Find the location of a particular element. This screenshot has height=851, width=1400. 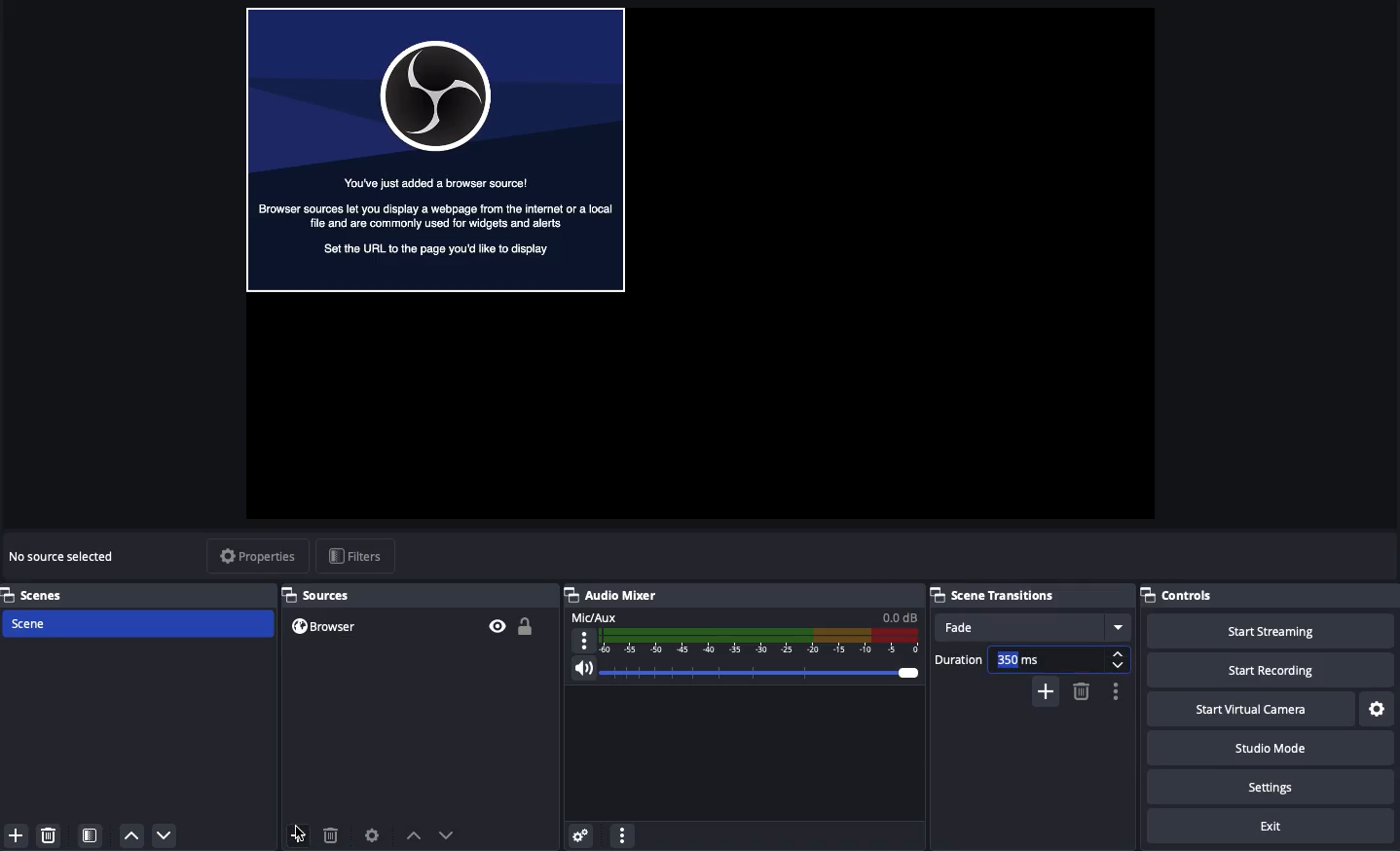

Up is located at coordinates (129, 835).